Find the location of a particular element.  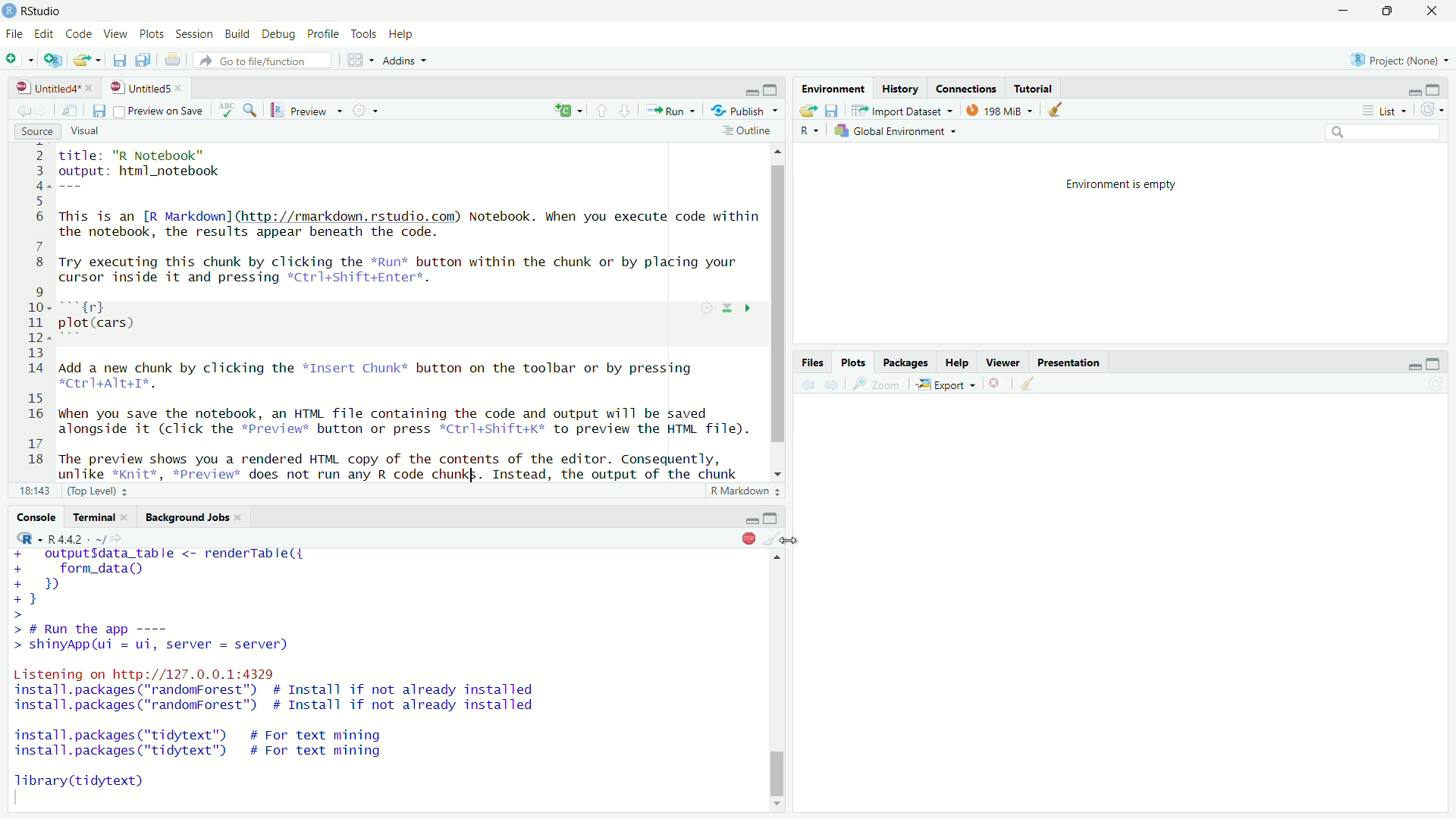

C Add menu is located at coordinates (568, 111).